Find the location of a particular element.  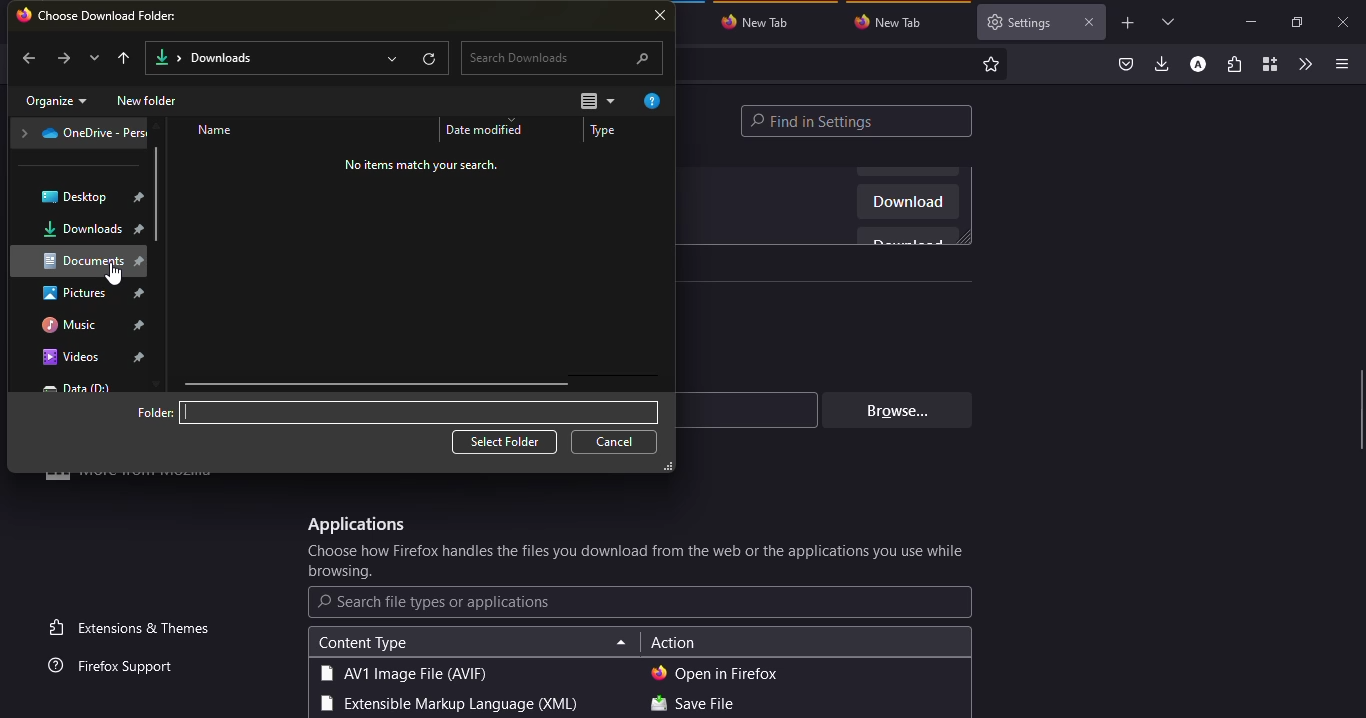

drag to is located at coordinates (1361, 411).